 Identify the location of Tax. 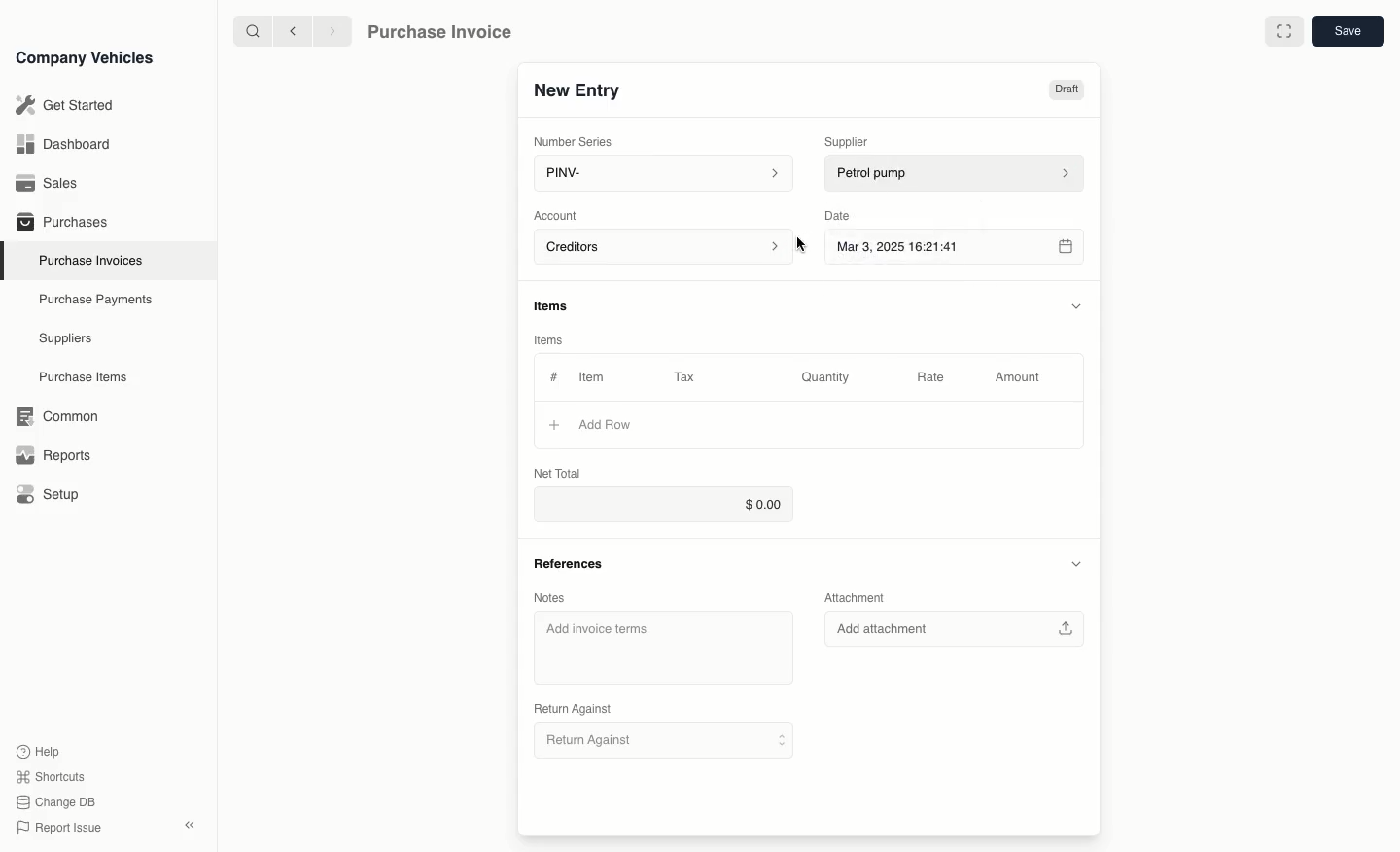
(693, 378).